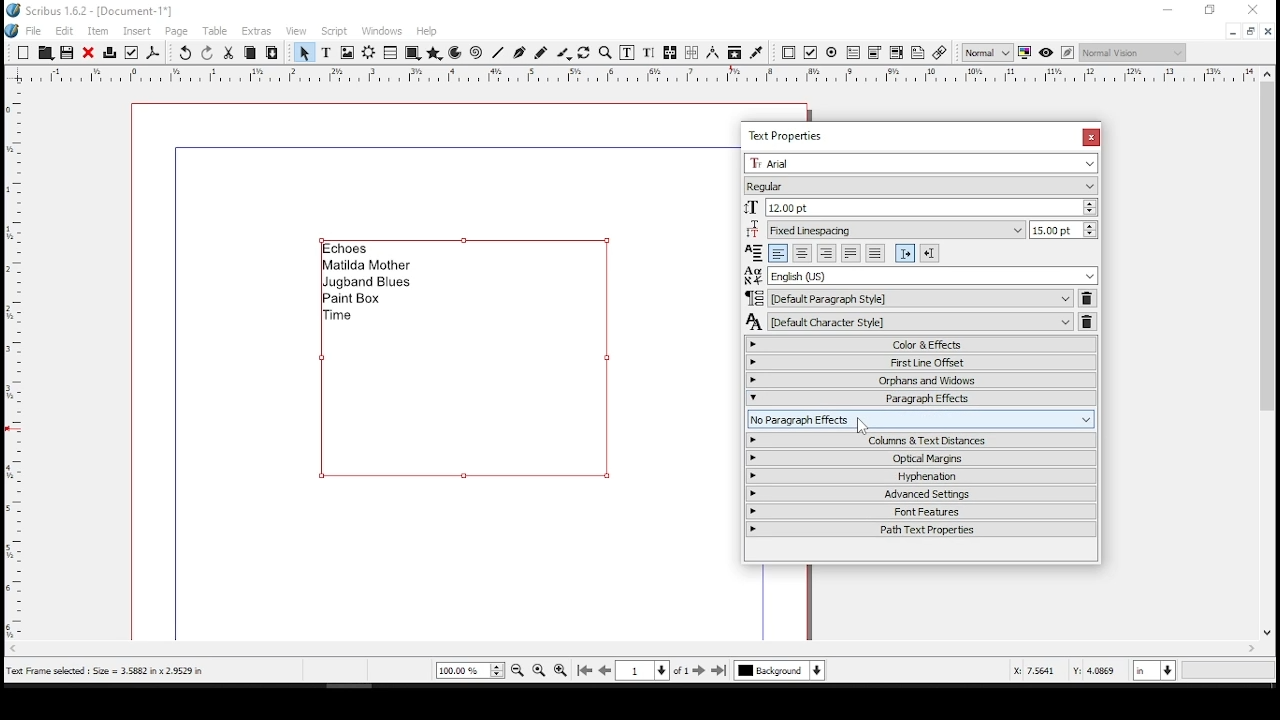 The width and height of the screenshot is (1280, 720). Describe the element at coordinates (626, 53) in the screenshot. I see `edit contents of frame` at that location.